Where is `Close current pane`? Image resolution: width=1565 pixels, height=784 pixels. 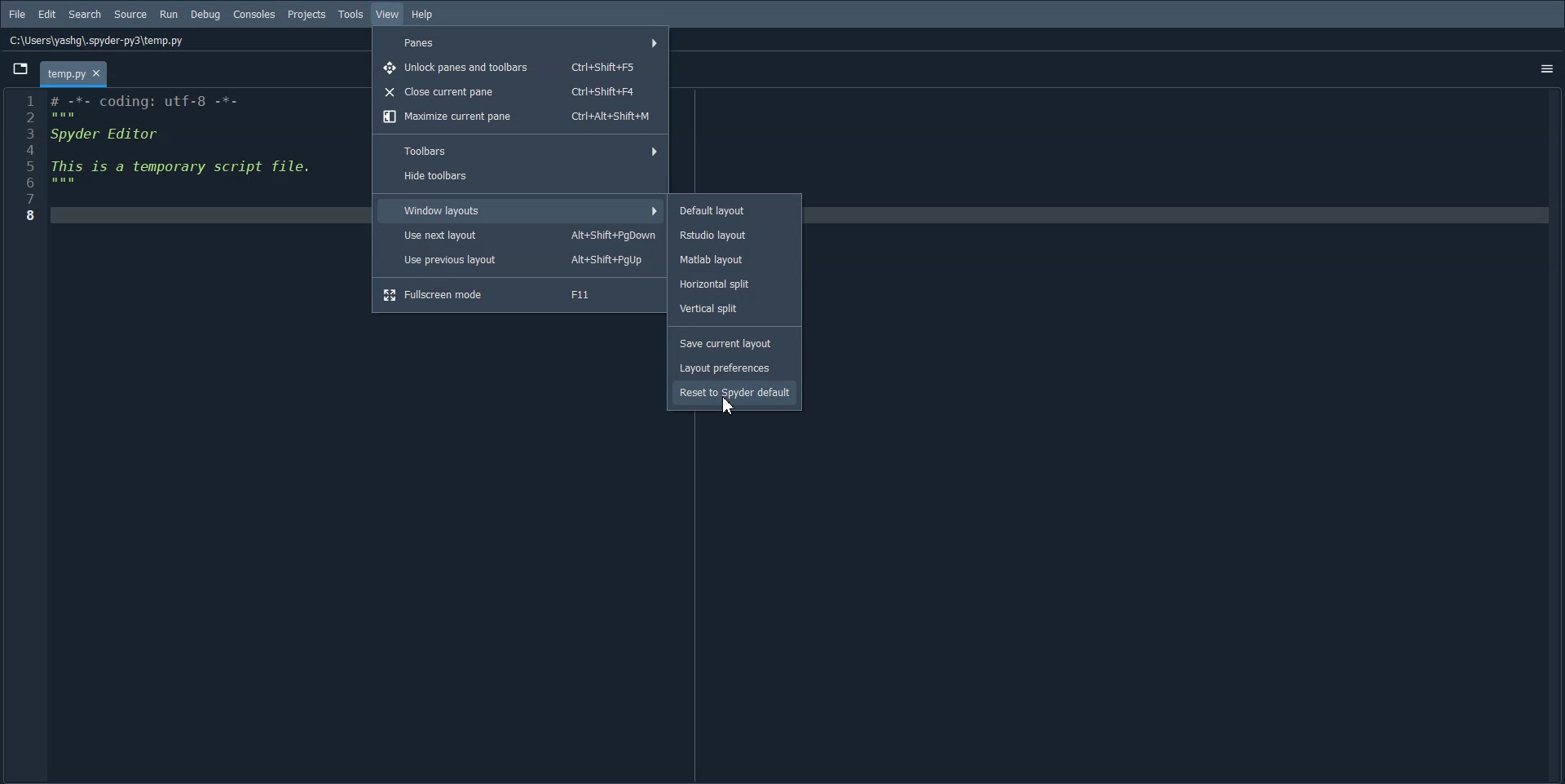 Close current pane is located at coordinates (522, 91).